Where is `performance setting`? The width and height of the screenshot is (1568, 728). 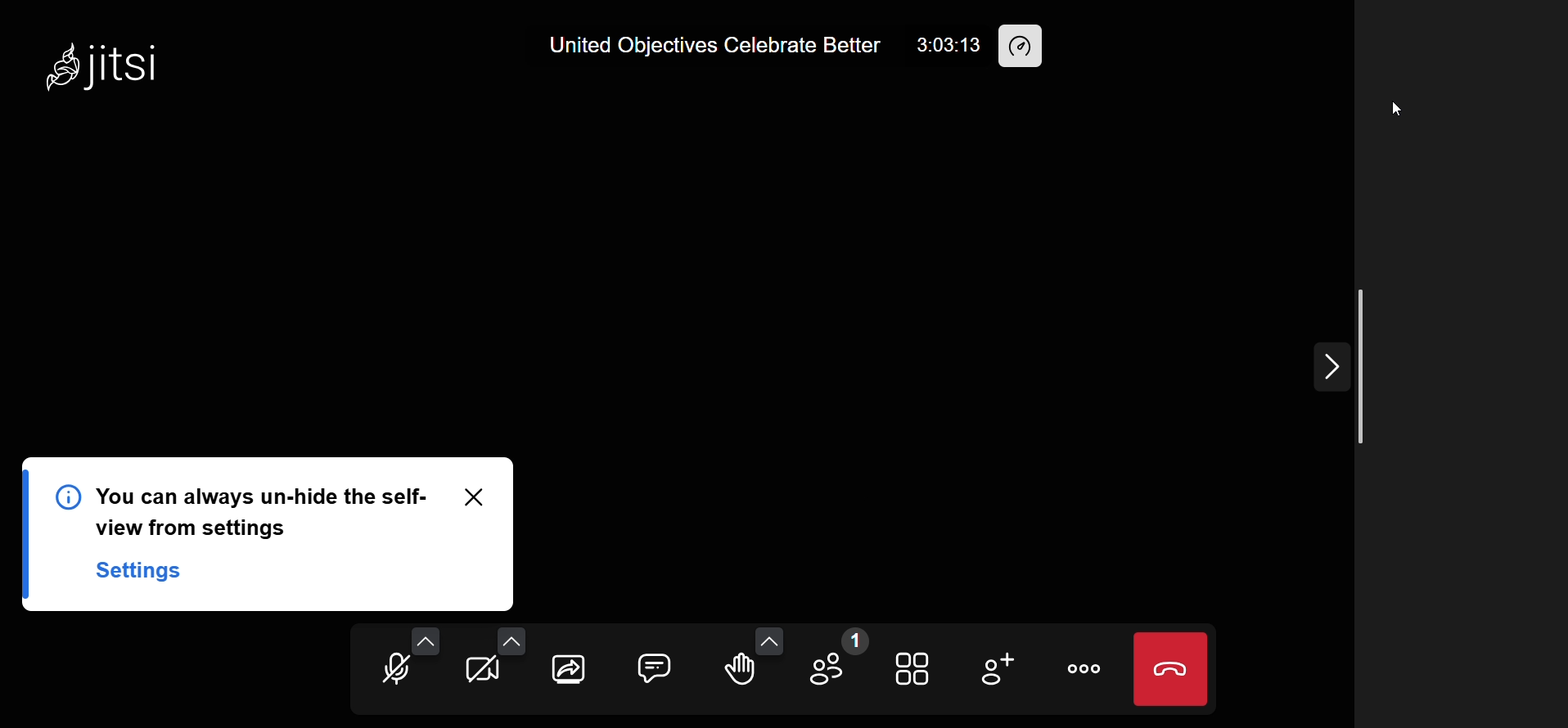
performance setting is located at coordinates (1022, 47).